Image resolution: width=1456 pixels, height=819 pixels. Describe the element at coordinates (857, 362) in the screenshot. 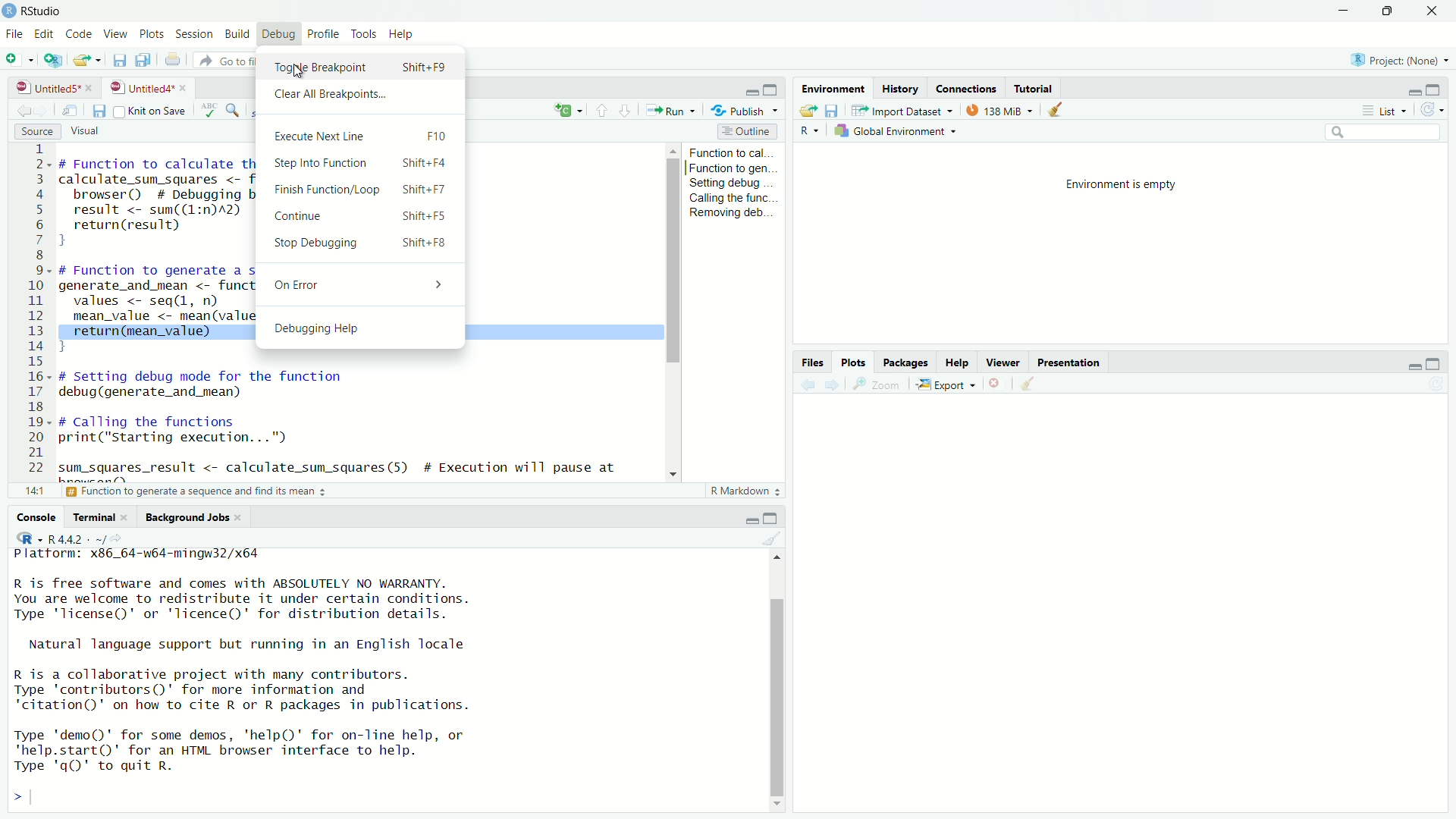

I see `plots` at that location.